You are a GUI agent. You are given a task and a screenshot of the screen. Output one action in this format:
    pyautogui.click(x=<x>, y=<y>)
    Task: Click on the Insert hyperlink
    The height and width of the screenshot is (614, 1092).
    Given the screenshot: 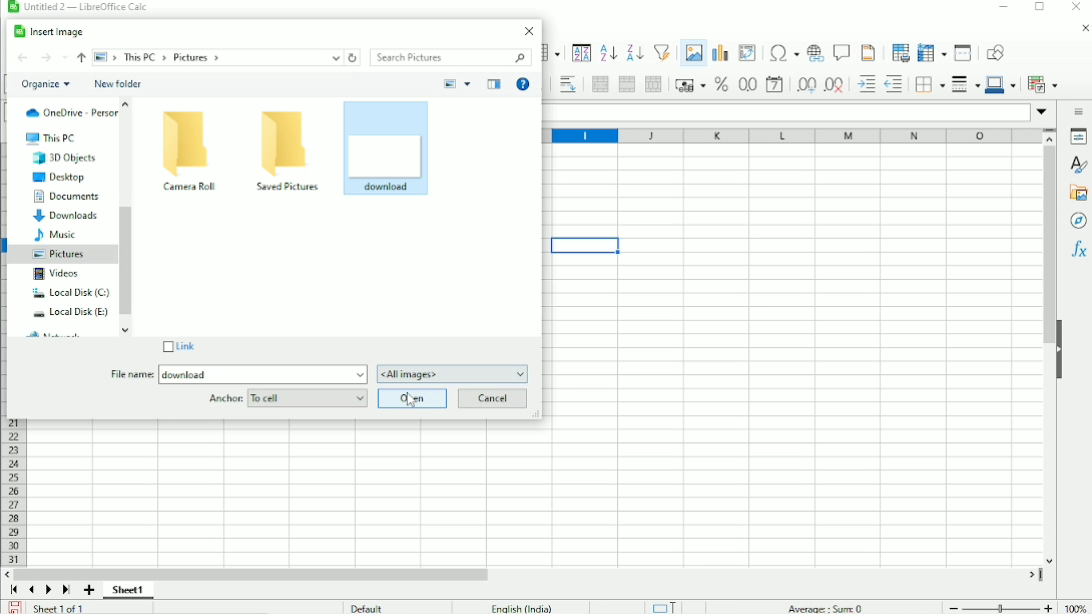 What is the action you would take?
    pyautogui.click(x=815, y=53)
    